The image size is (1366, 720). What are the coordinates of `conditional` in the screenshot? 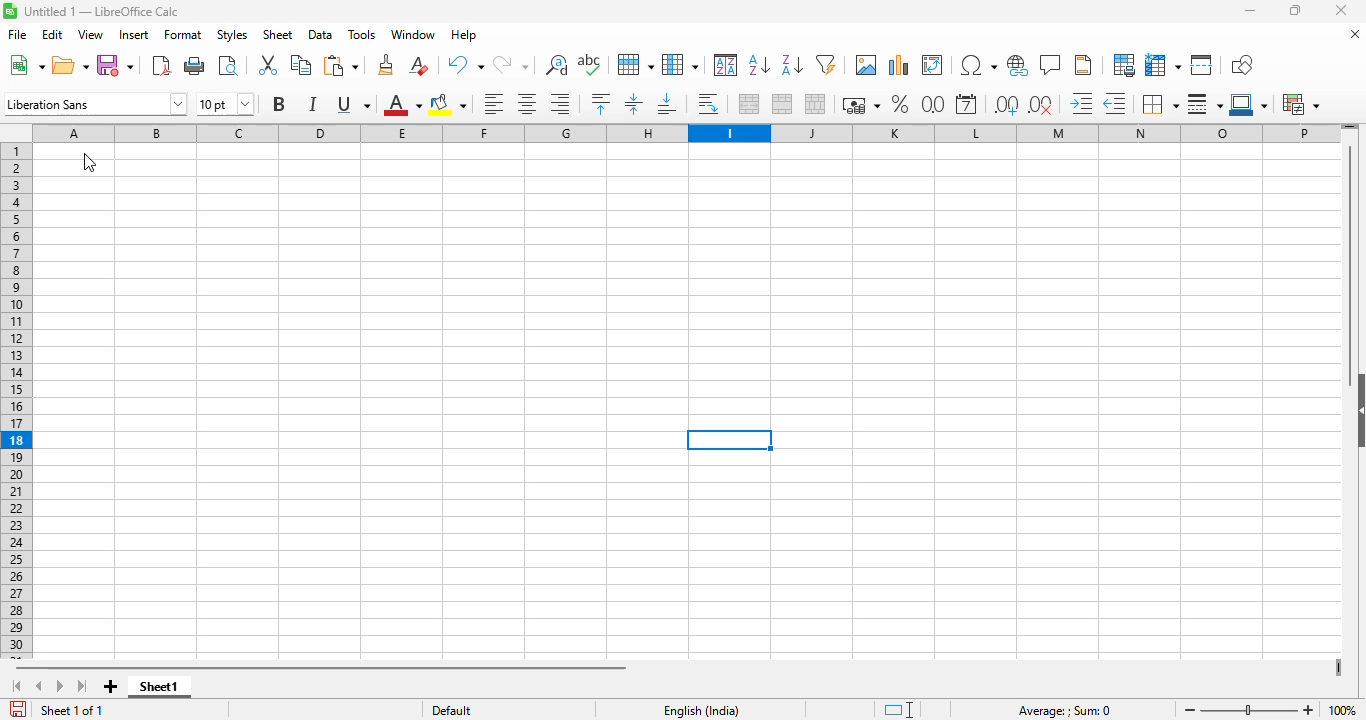 It's located at (1301, 105).